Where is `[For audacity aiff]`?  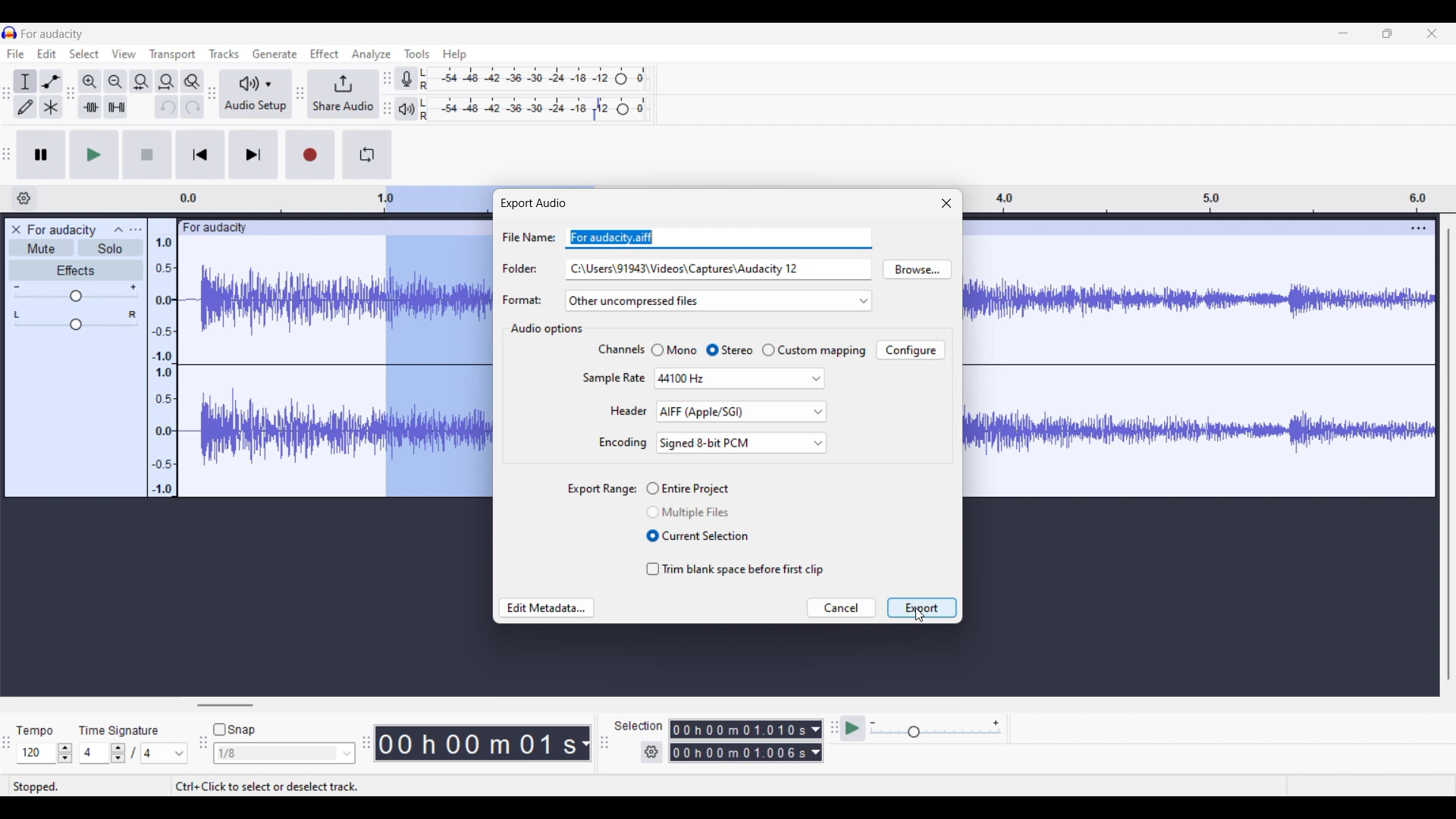
[For audacity aiff] is located at coordinates (640, 238).